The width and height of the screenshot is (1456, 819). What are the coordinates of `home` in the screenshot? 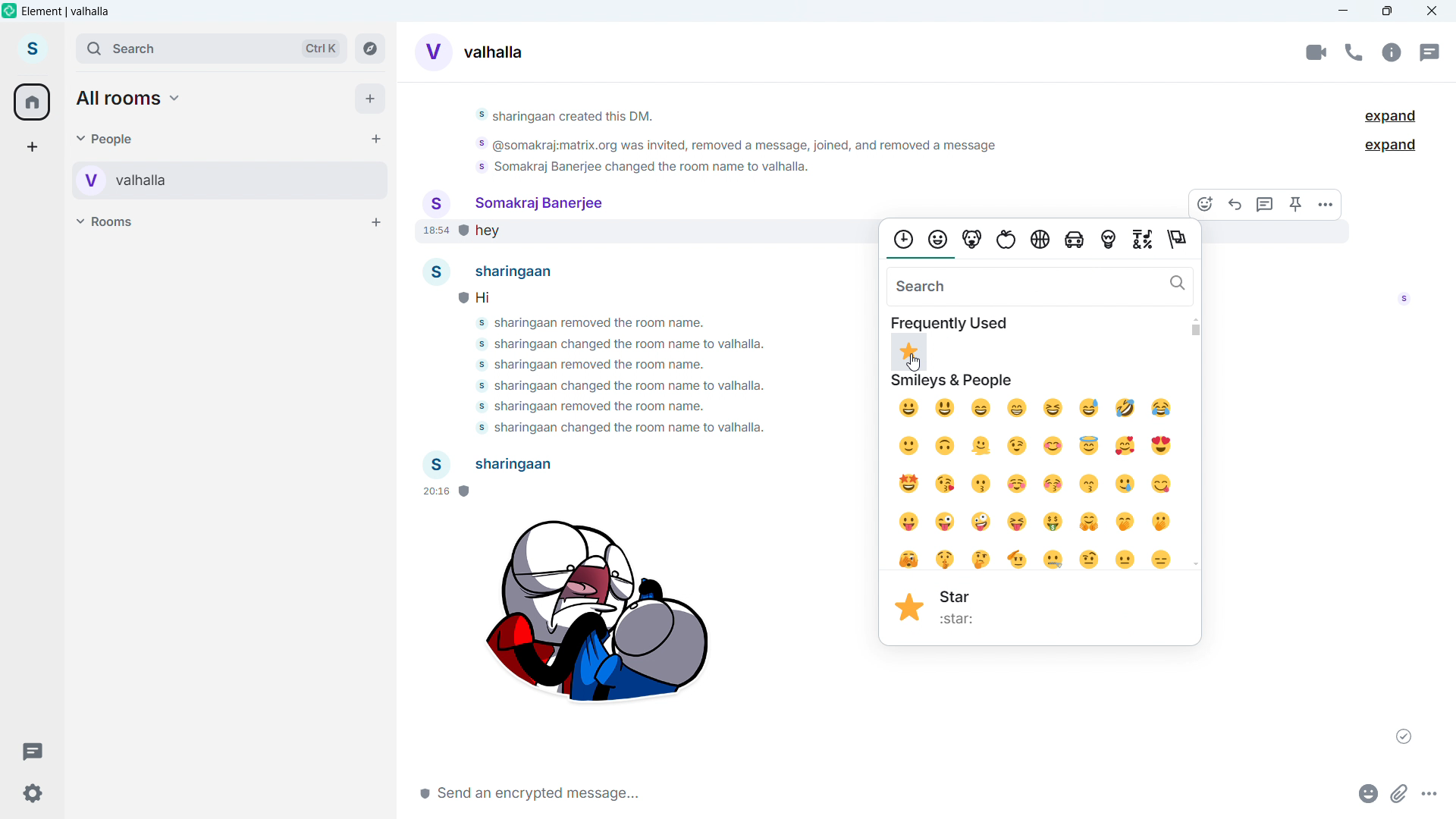 It's located at (33, 102).